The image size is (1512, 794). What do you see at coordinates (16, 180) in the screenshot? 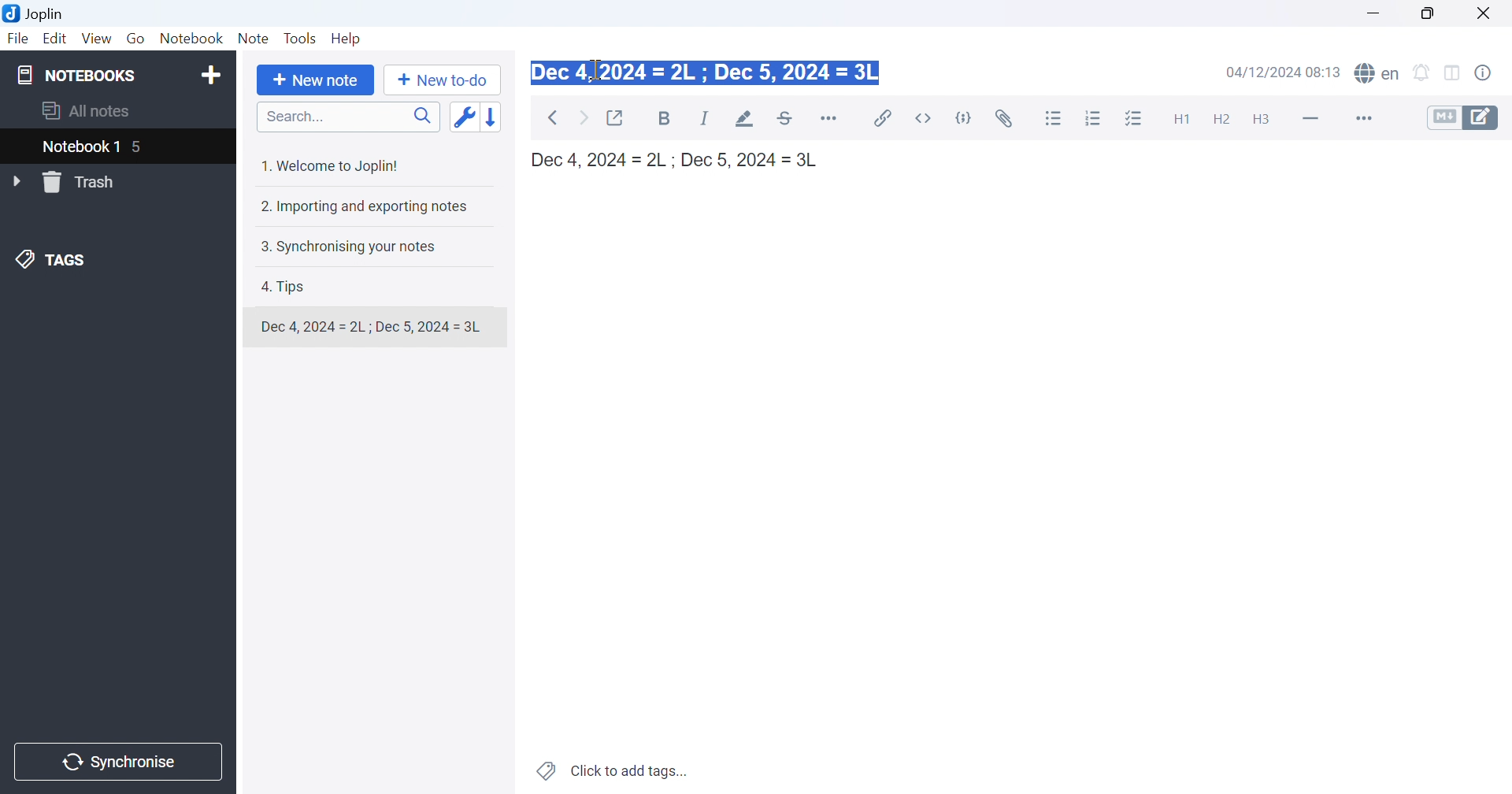
I see `Drop Down` at bounding box center [16, 180].